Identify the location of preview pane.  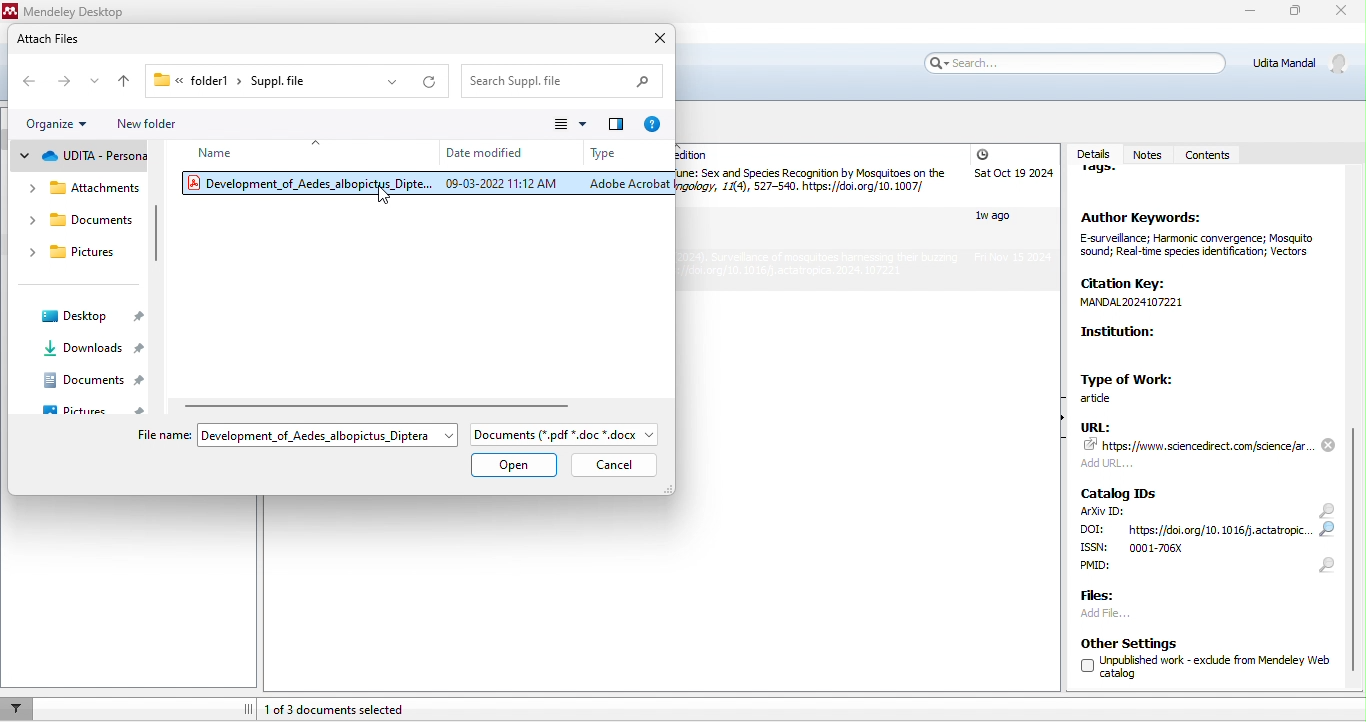
(616, 122).